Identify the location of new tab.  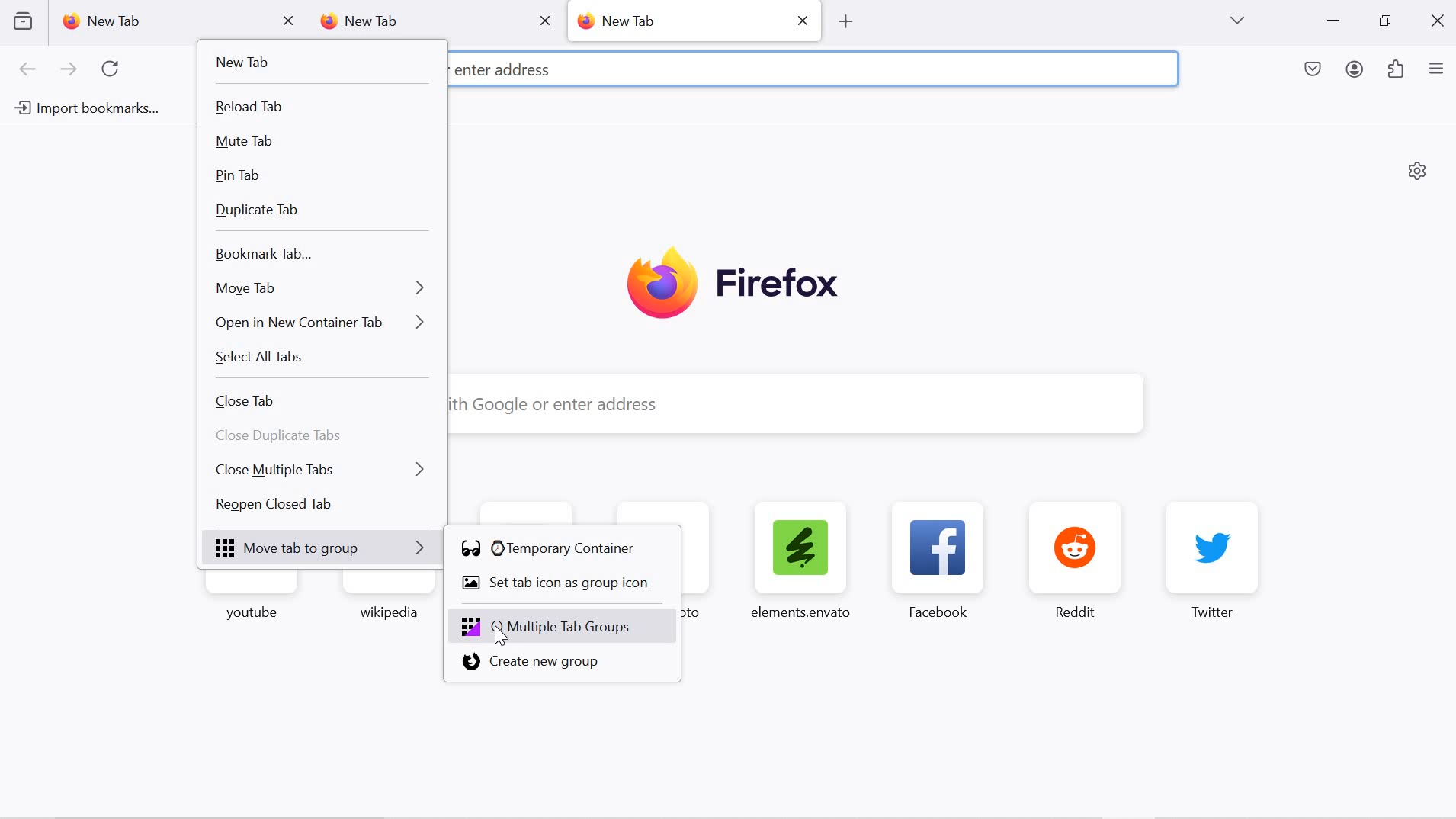
(678, 20).